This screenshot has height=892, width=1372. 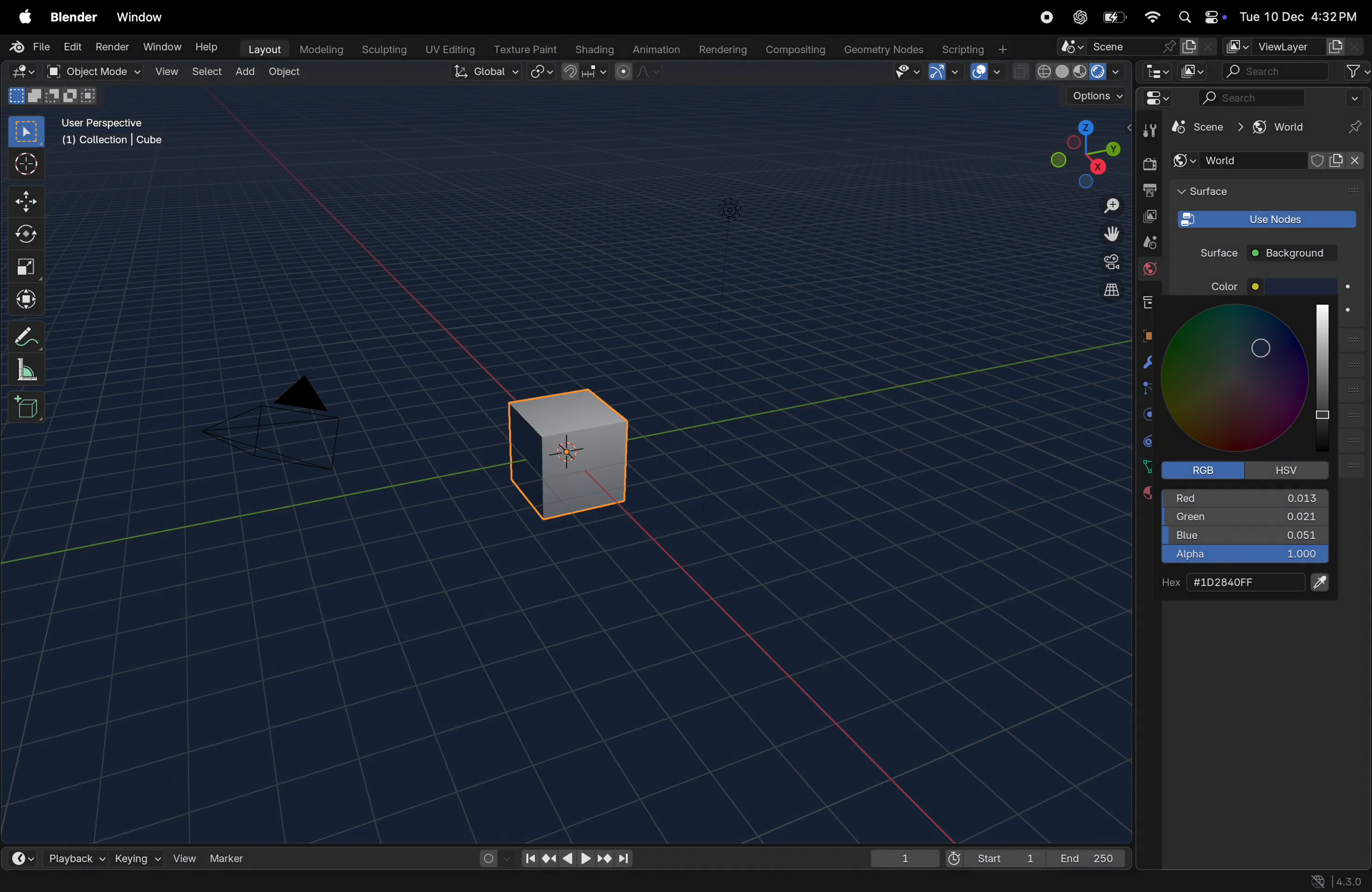 What do you see at coordinates (988, 71) in the screenshot?
I see `show overlays` at bounding box center [988, 71].